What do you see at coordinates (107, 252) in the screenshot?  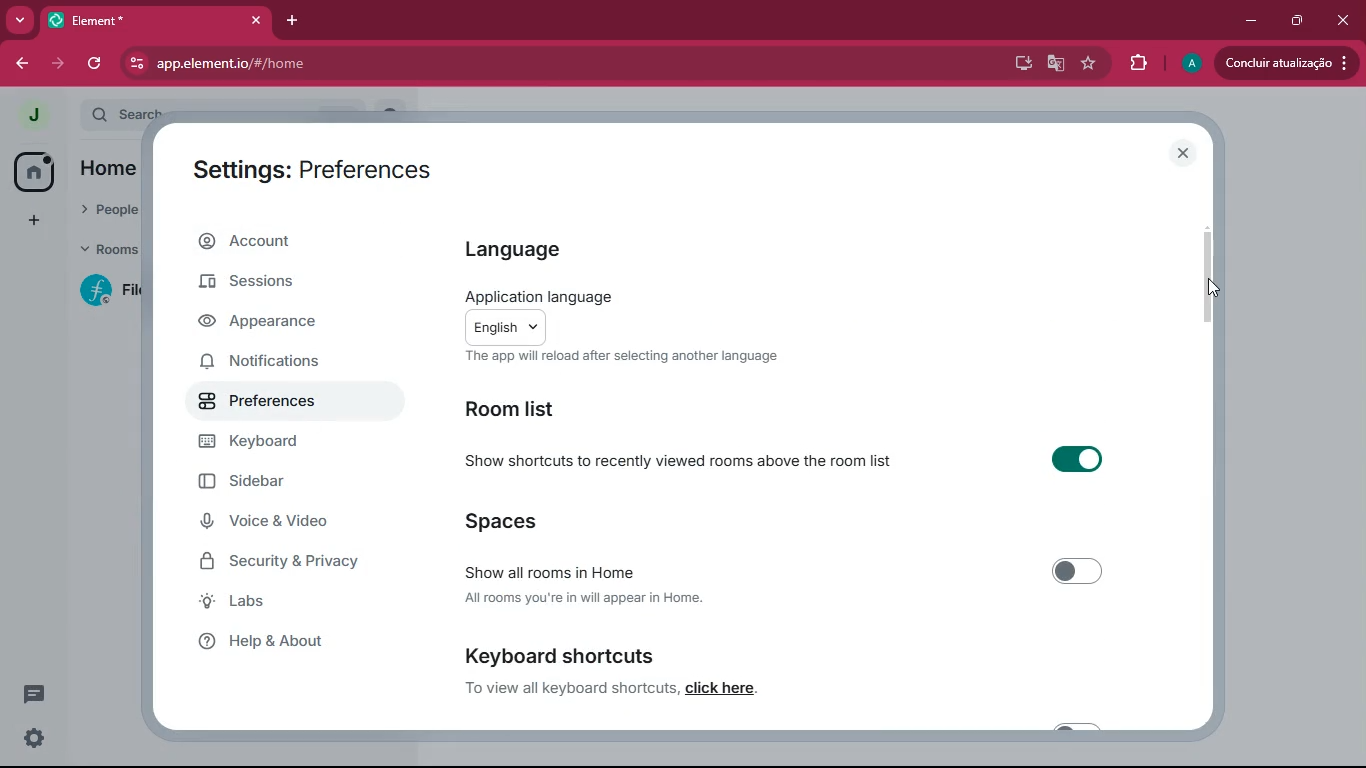 I see `rooms` at bounding box center [107, 252].